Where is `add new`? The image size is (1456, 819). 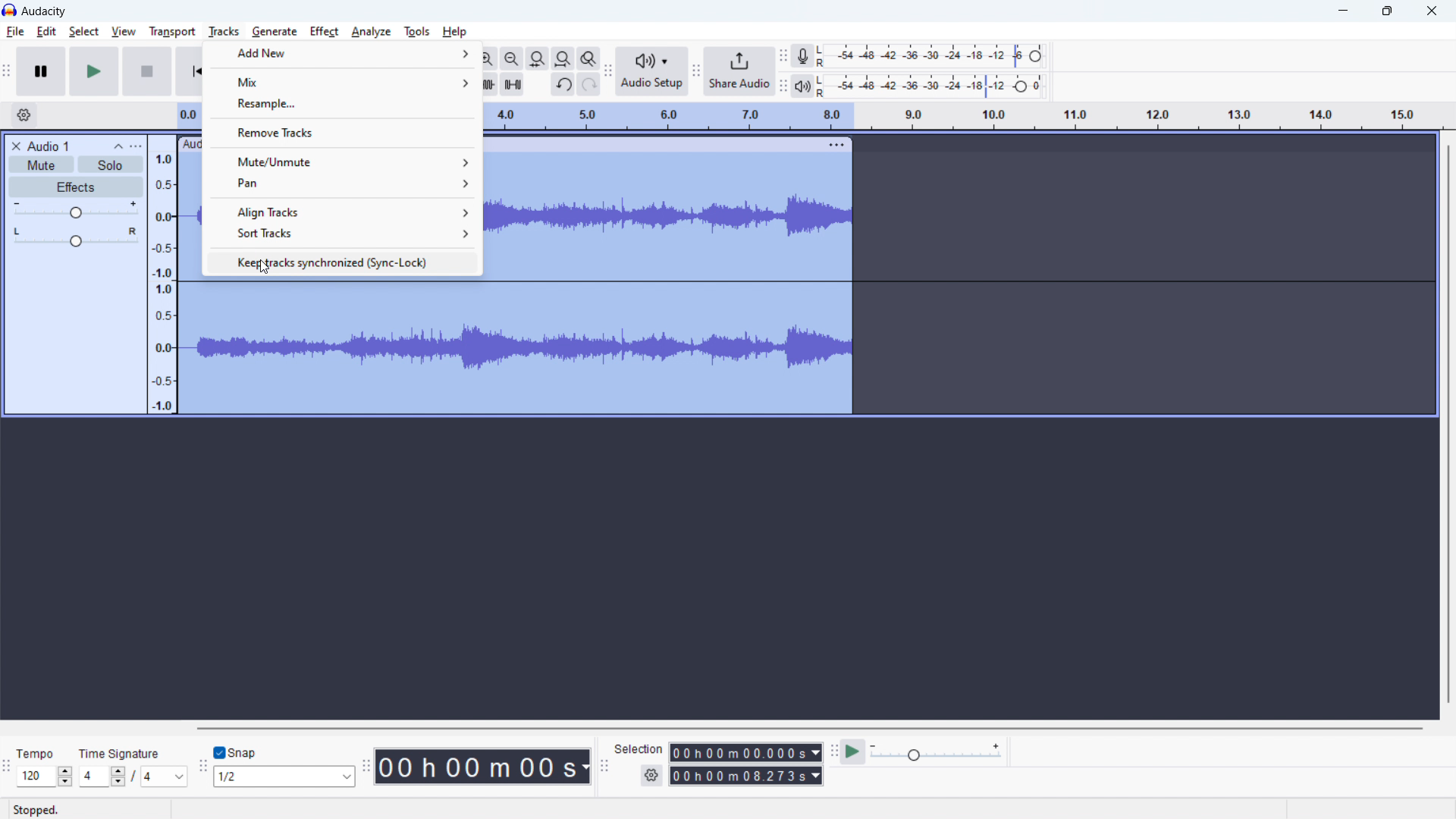
add new is located at coordinates (341, 52).